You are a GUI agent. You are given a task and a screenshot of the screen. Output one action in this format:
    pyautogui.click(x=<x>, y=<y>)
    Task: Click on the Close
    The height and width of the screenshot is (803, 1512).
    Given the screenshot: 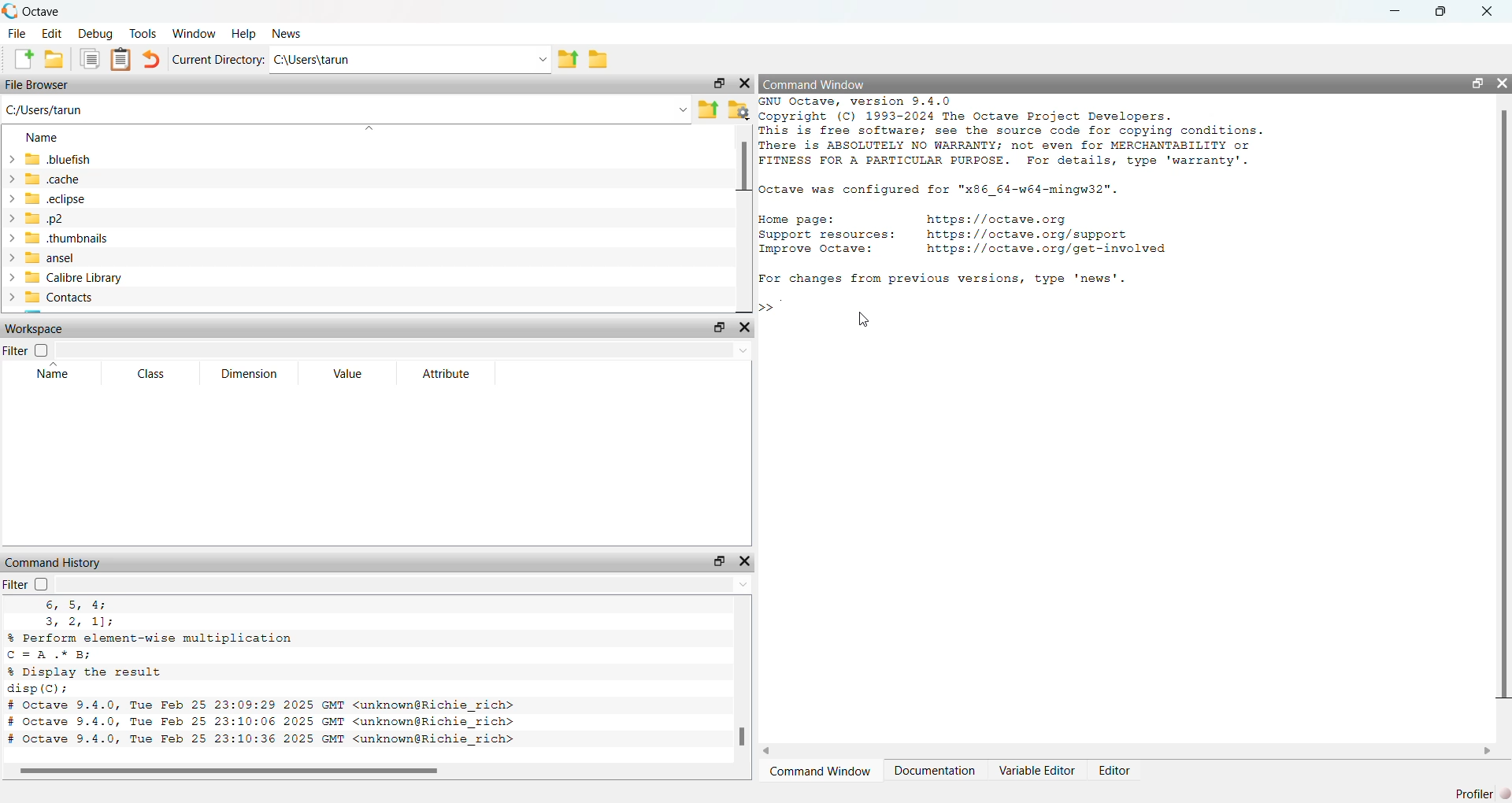 What is the action you would take?
    pyautogui.click(x=743, y=562)
    